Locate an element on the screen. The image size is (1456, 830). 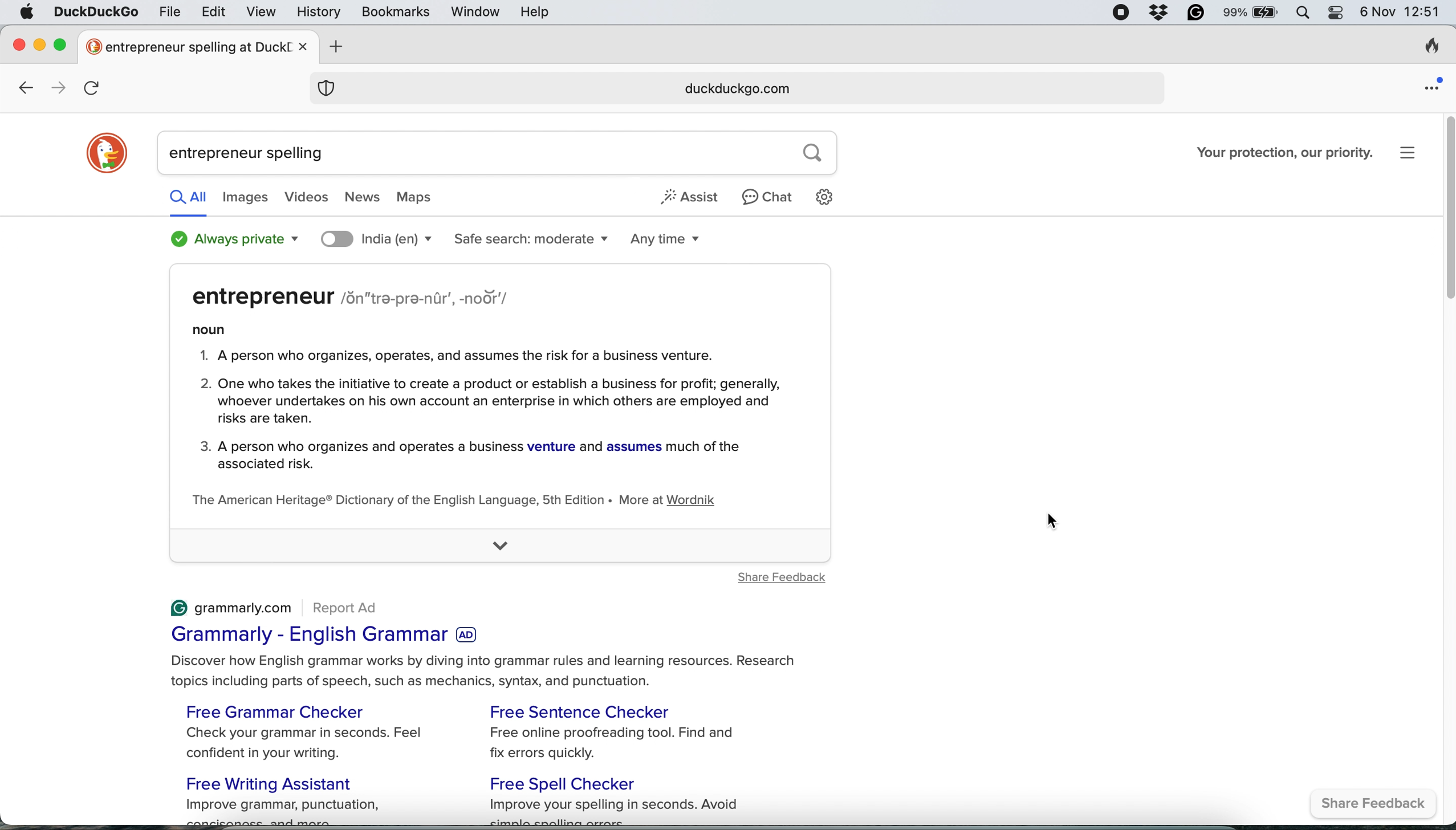
refresh is located at coordinates (92, 89).